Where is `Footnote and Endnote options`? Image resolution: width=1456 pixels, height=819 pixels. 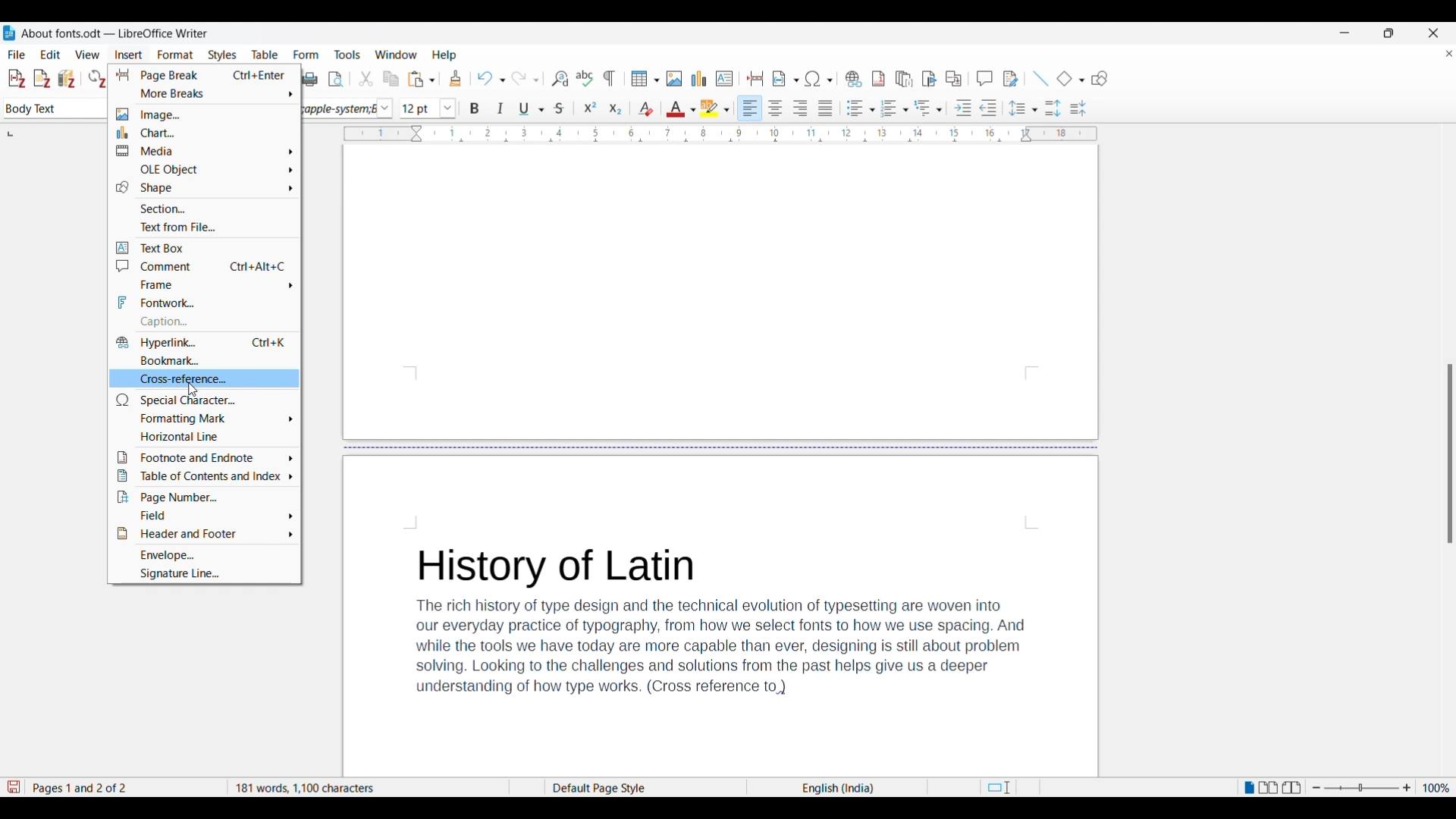
Footnote and Endnote options is located at coordinates (205, 457).